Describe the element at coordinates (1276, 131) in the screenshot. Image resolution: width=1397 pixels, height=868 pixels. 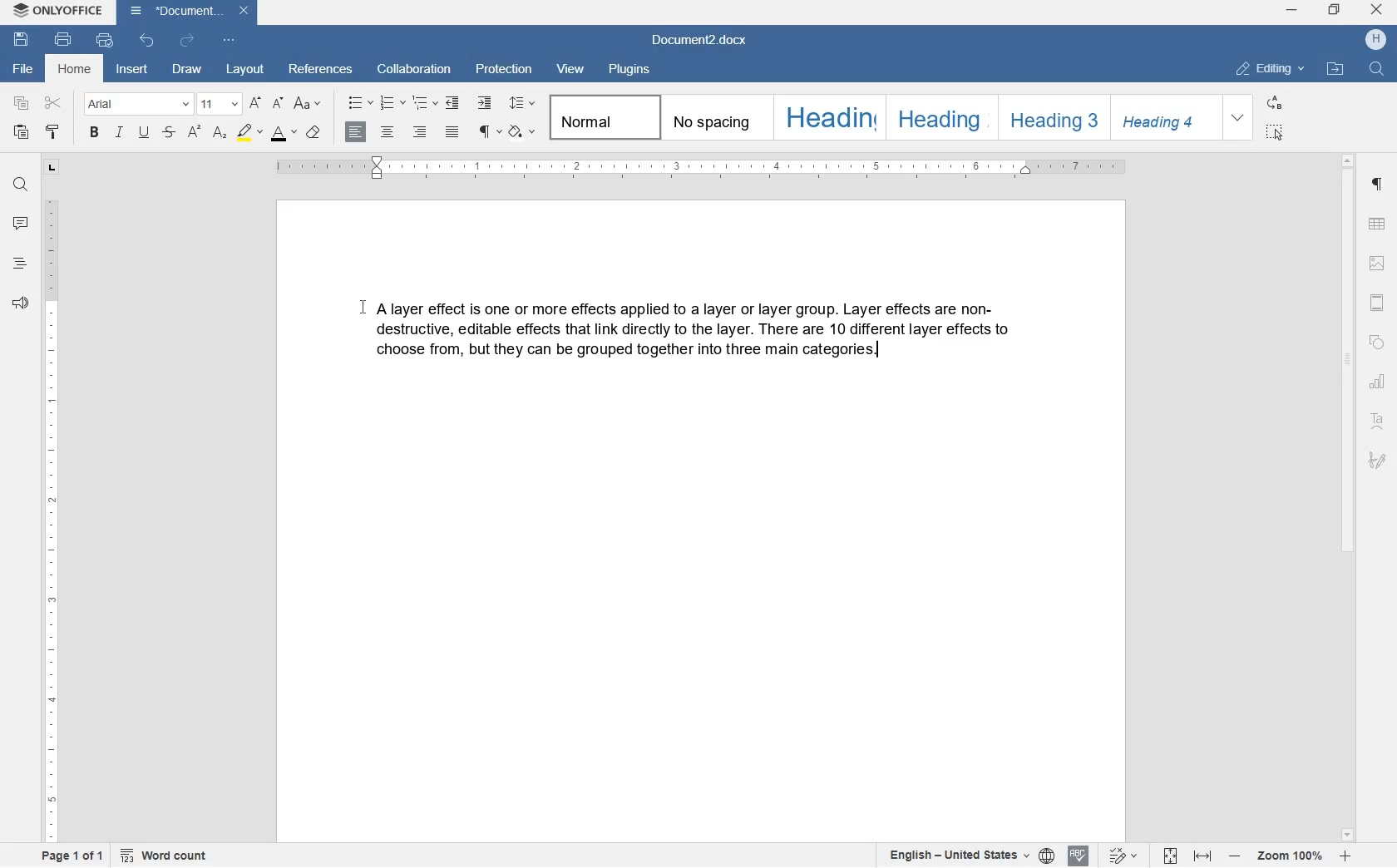
I see `select all ` at that location.